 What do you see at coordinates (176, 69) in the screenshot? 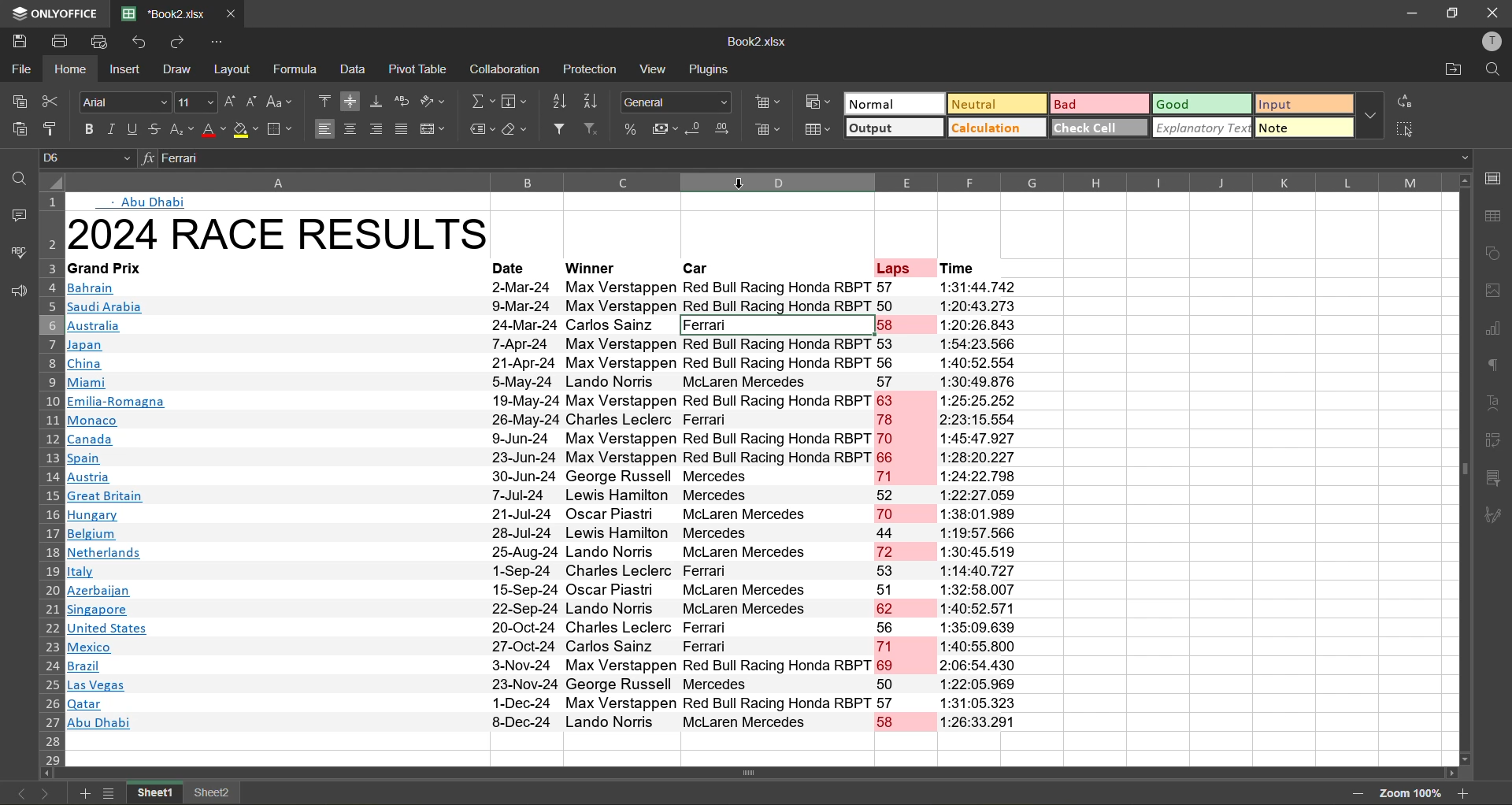
I see `draw` at bounding box center [176, 69].